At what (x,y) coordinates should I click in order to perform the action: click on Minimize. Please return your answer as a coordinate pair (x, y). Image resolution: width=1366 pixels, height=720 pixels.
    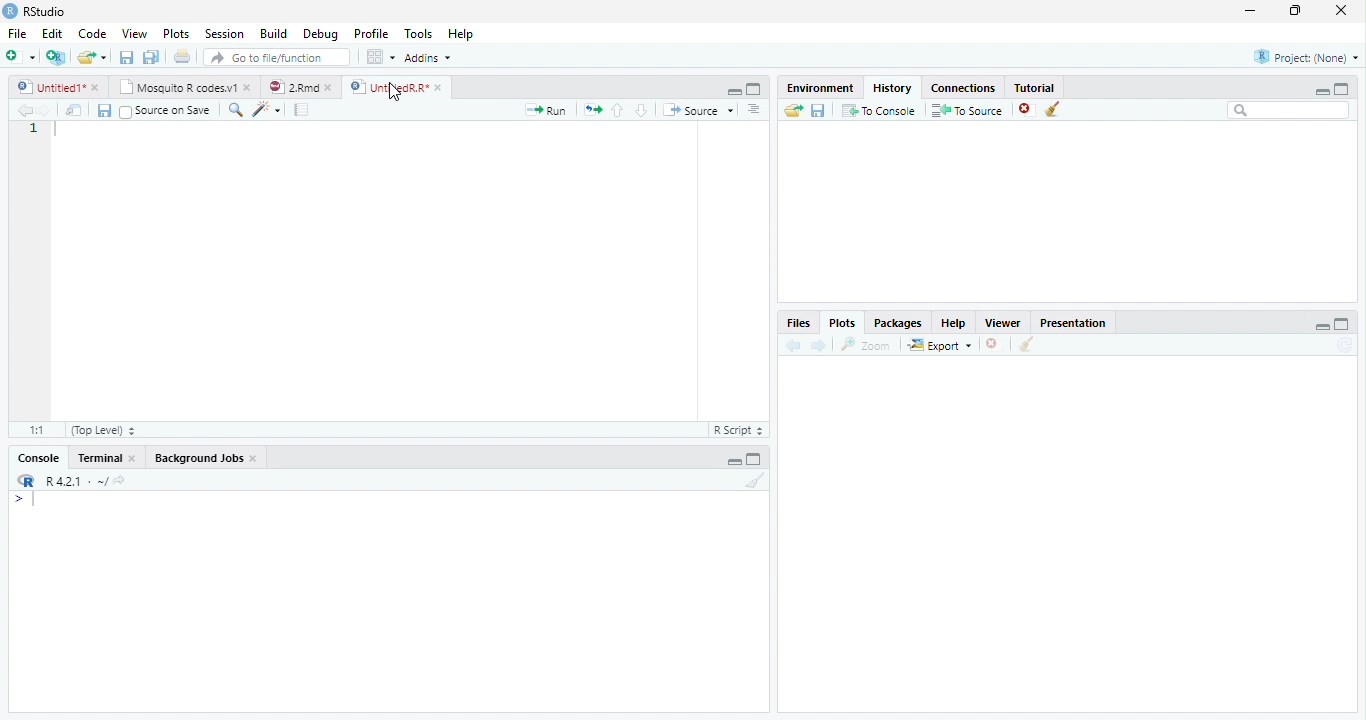
    Looking at the image, I should click on (732, 91).